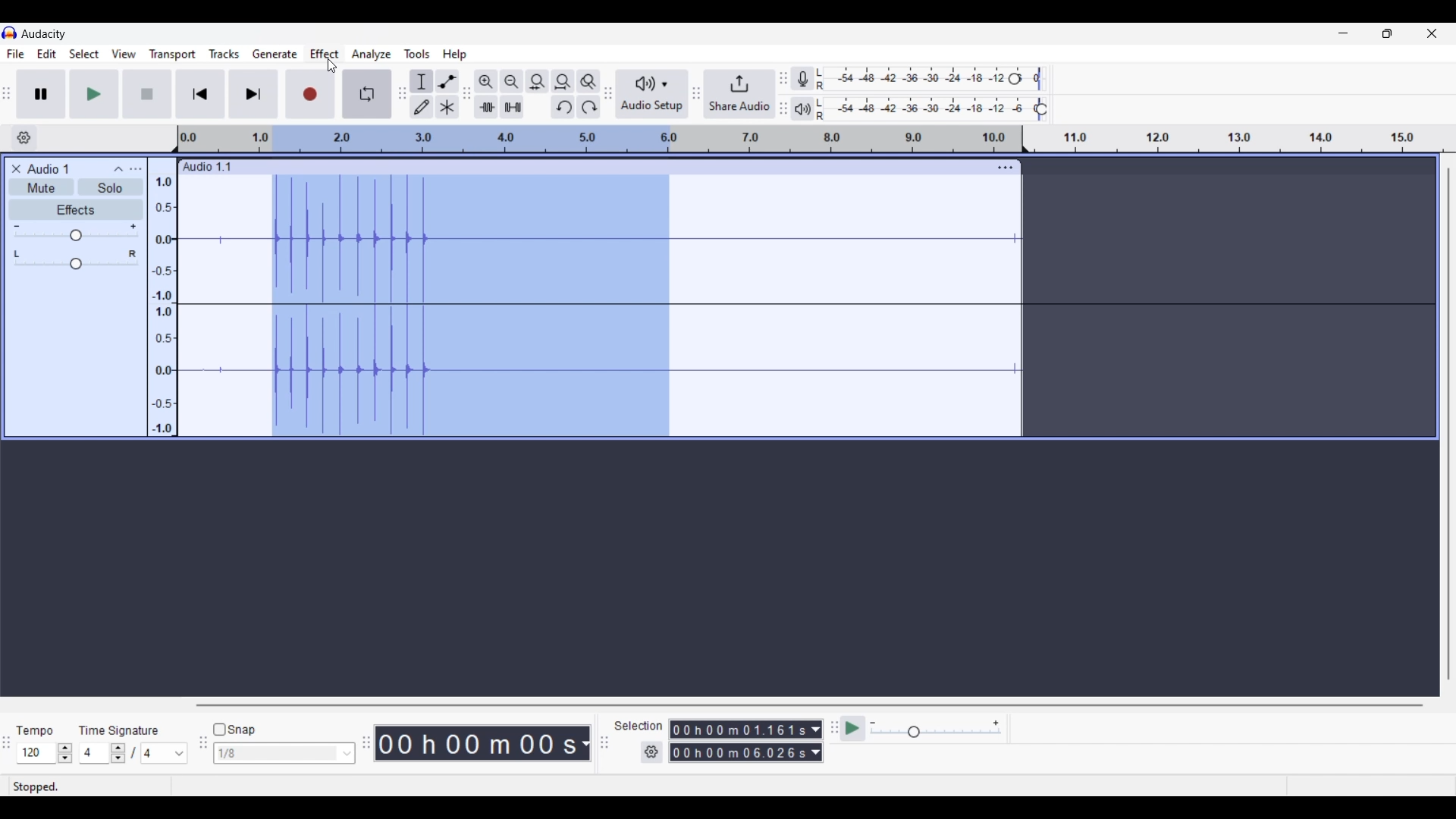 This screenshot has height=819, width=1456. What do you see at coordinates (453, 54) in the screenshot?
I see `Help menu` at bounding box center [453, 54].